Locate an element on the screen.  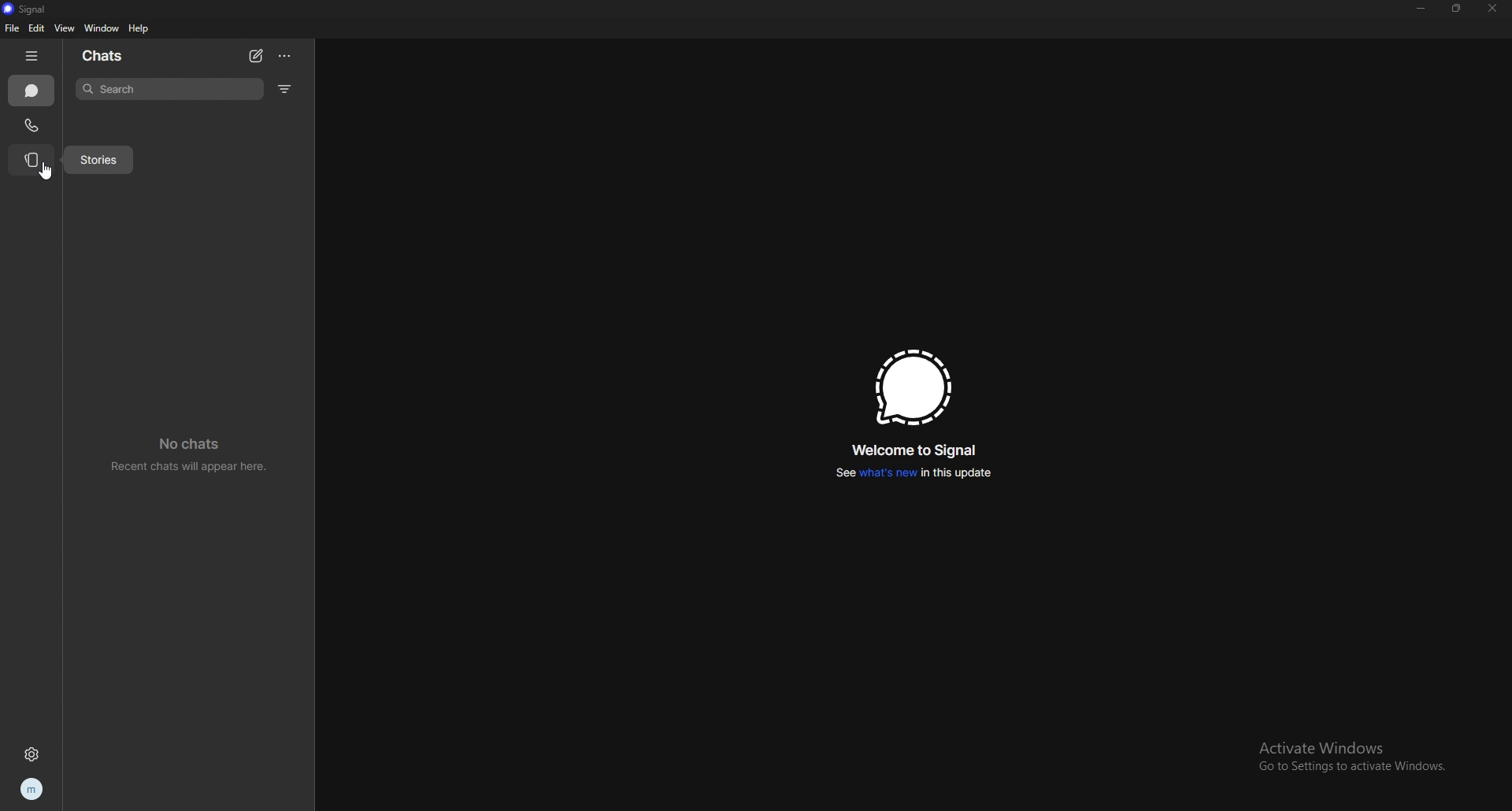
Activate Windows is located at coordinates (1340, 745).